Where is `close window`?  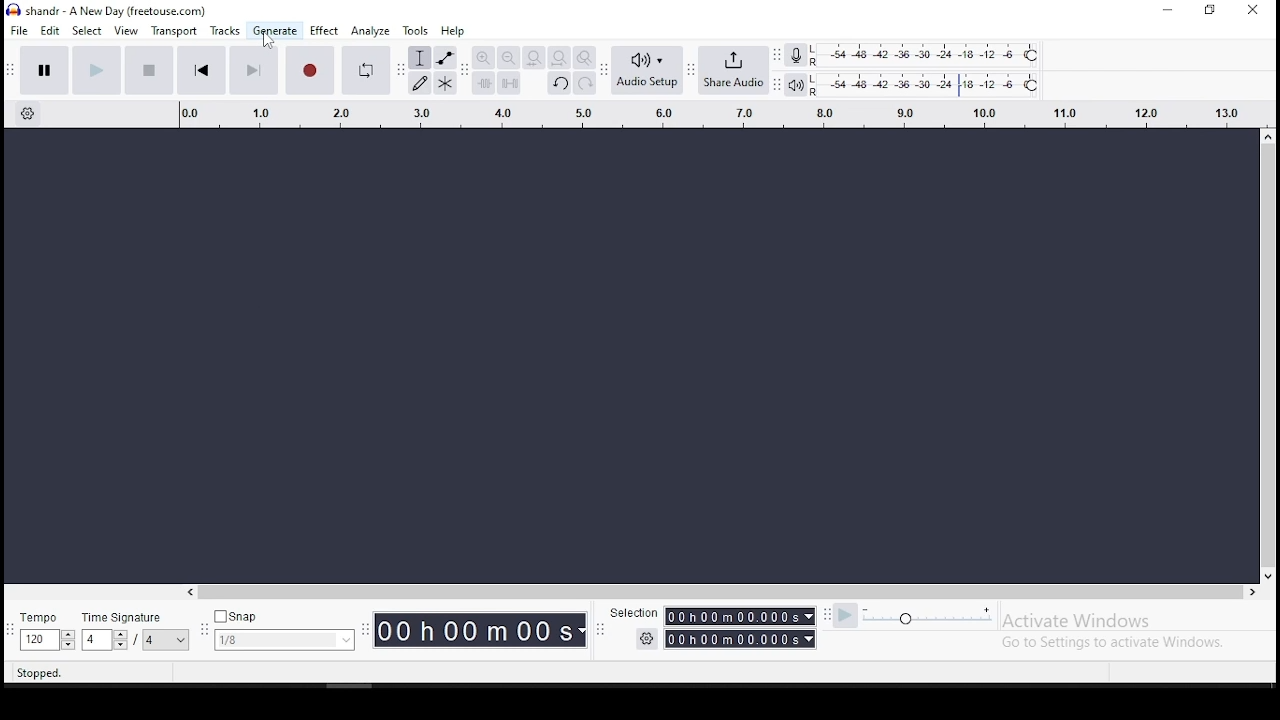 close window is located at coordinates (1252, 11).